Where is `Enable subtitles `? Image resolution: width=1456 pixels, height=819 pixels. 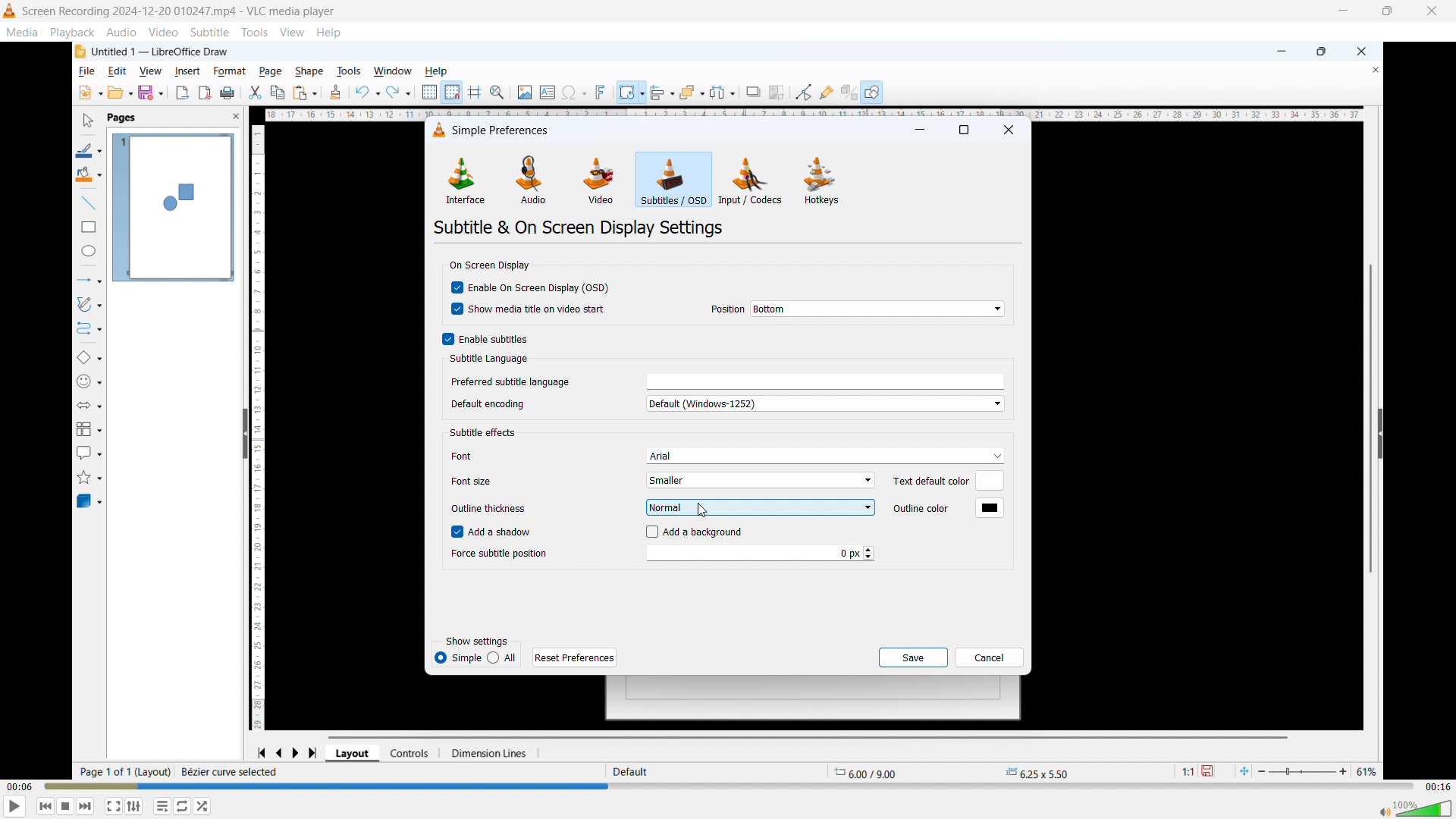
Enable subtitles  is located at coordinates (485, 338).